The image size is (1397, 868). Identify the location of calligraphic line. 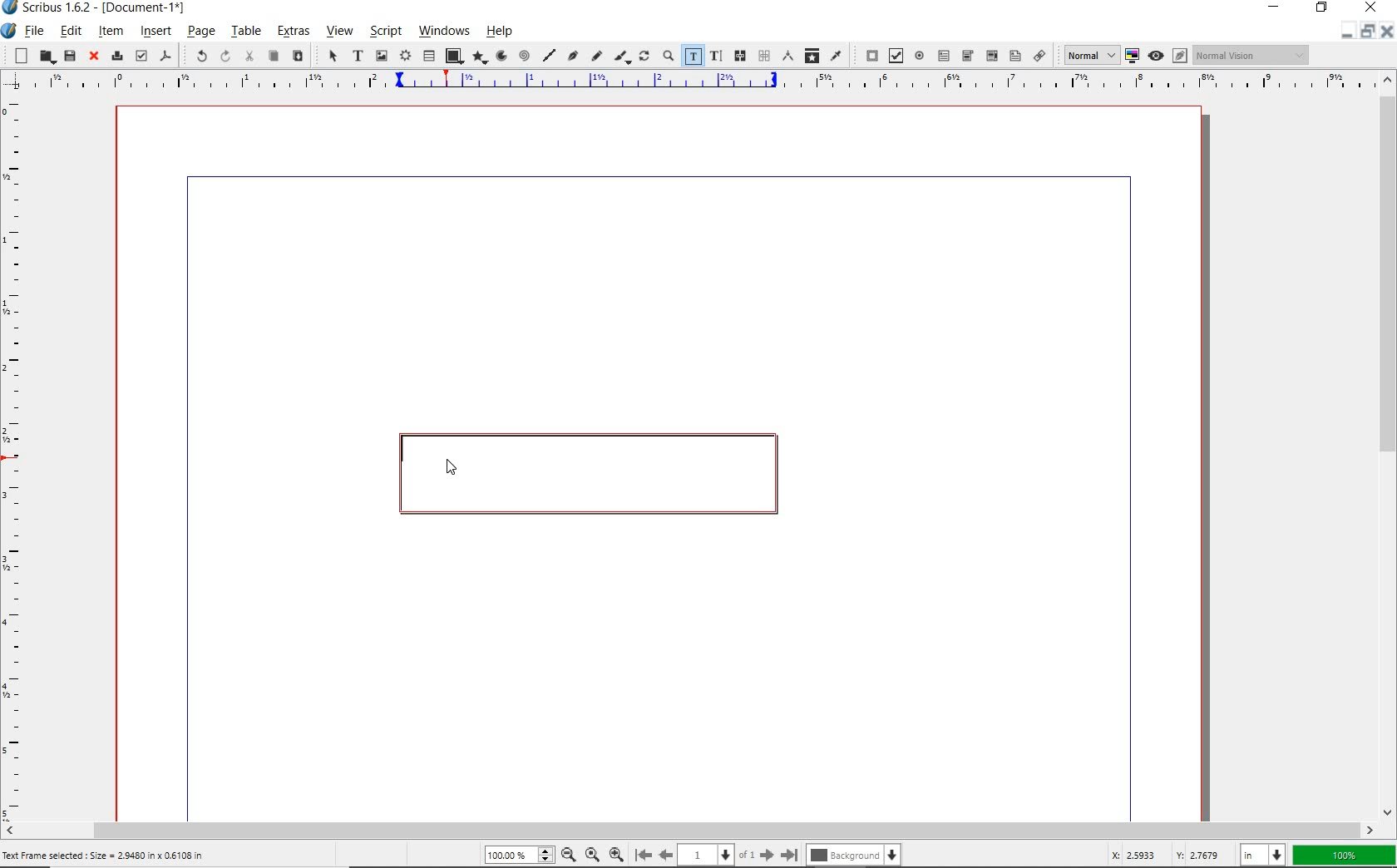
(622, 57).